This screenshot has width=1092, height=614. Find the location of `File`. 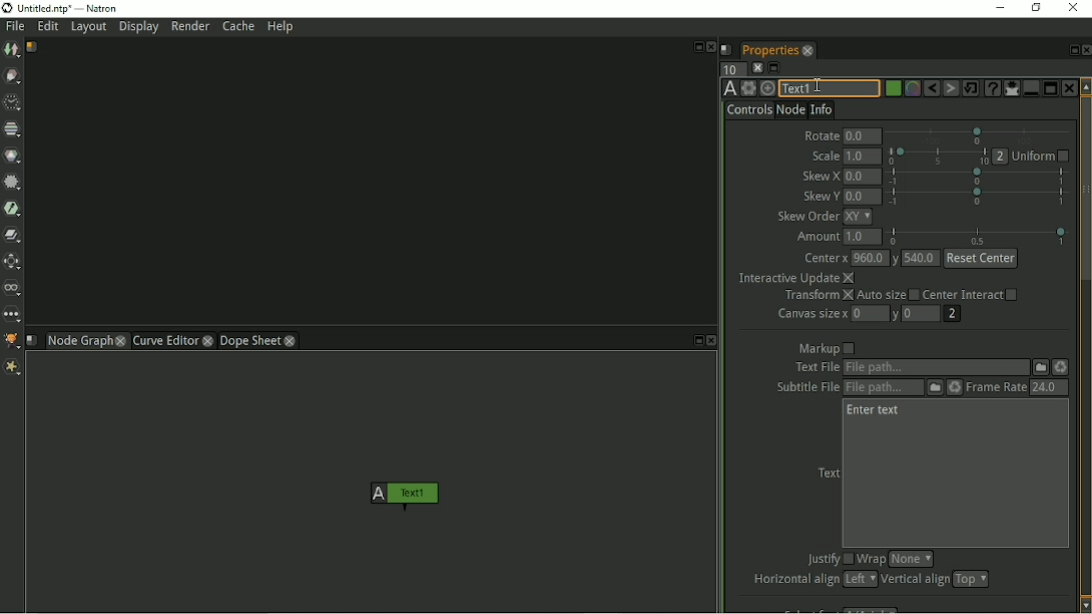

File is located at coordinates (1041, 366).